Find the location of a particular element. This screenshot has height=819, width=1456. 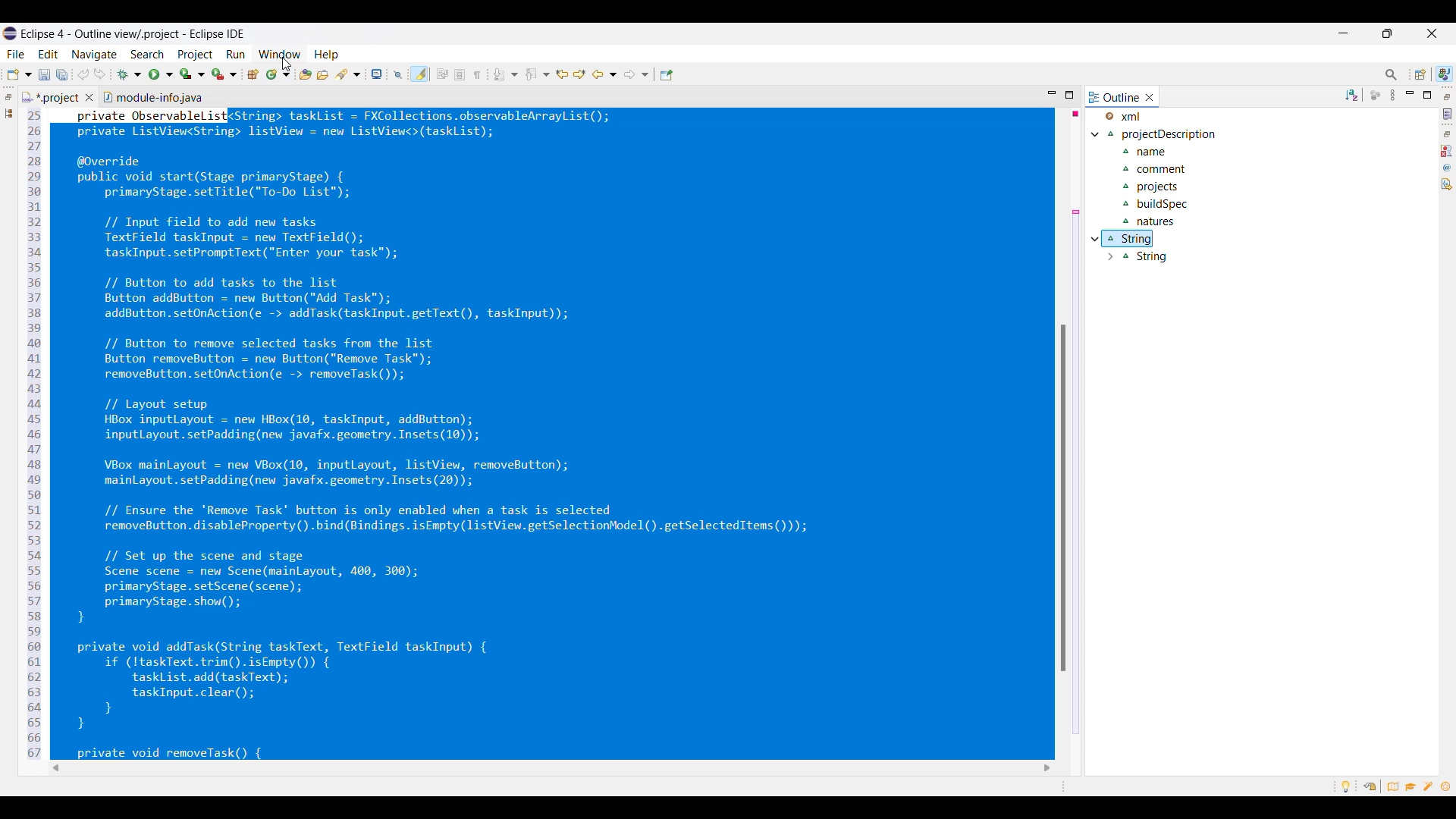

Restore welcome is located at coordinates (1370, 786).